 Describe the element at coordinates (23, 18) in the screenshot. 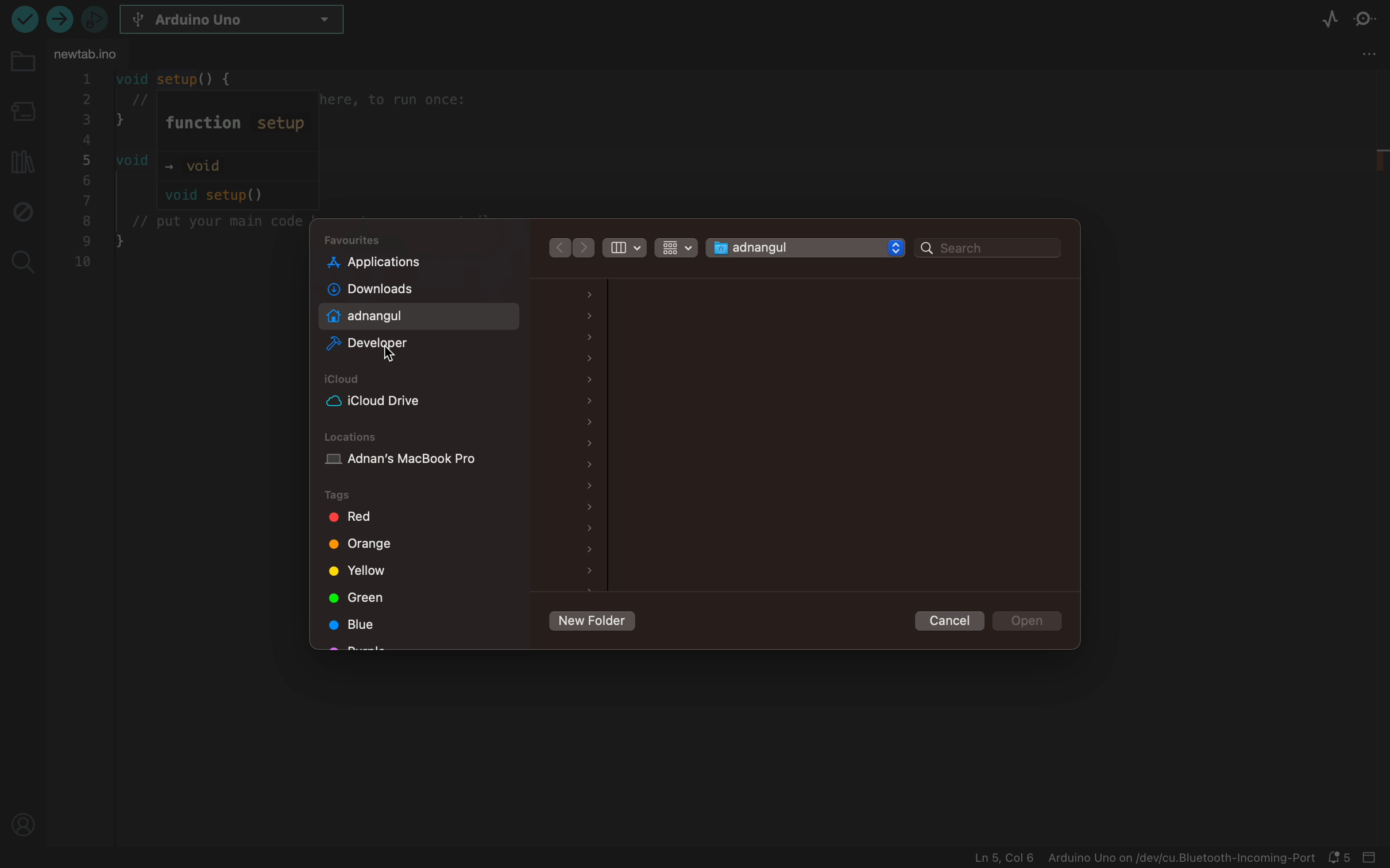

I see `upload` at that location.